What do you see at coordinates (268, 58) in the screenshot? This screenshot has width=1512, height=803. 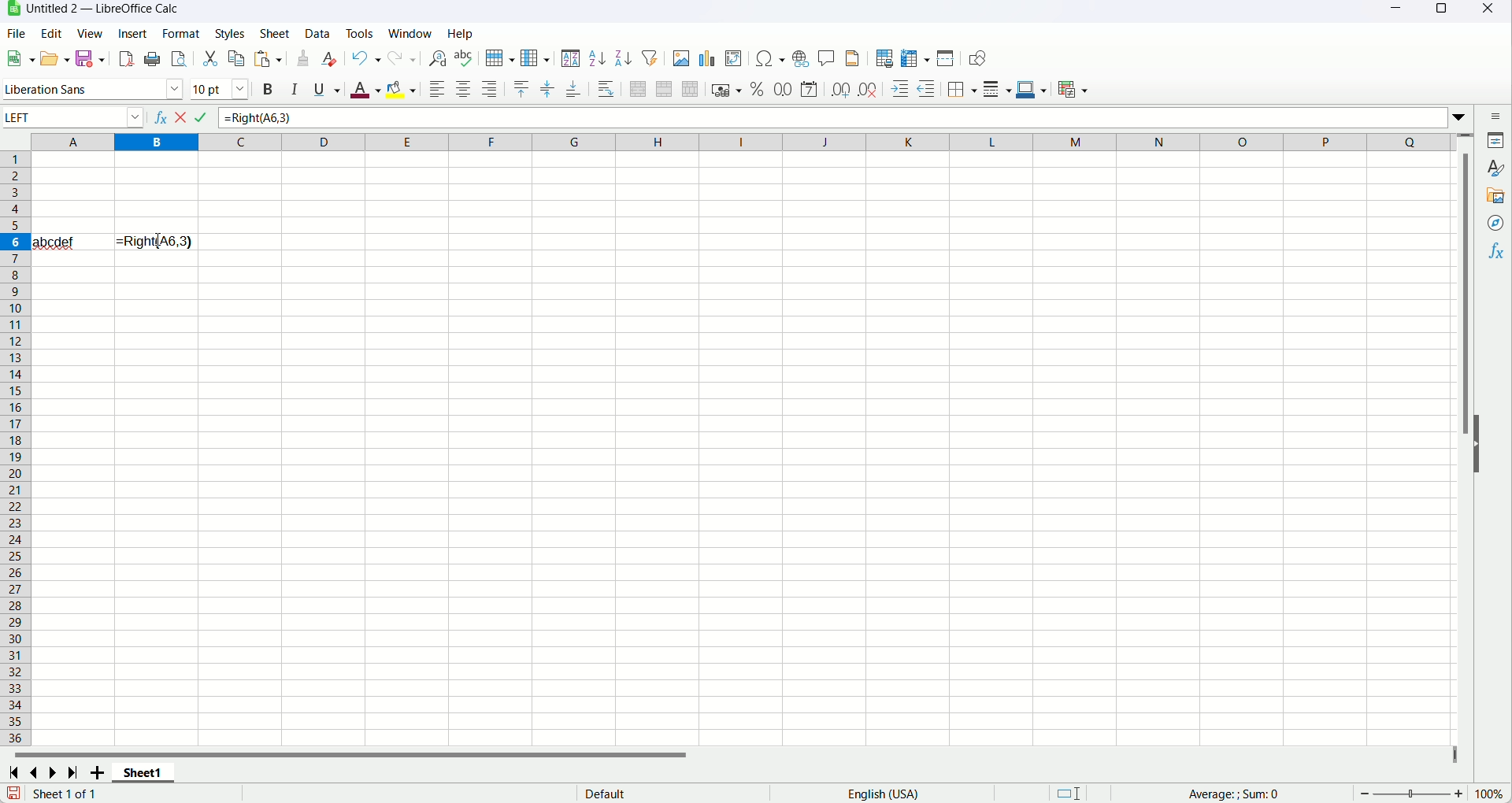 I see `paste` at bounding box center [268, 58].